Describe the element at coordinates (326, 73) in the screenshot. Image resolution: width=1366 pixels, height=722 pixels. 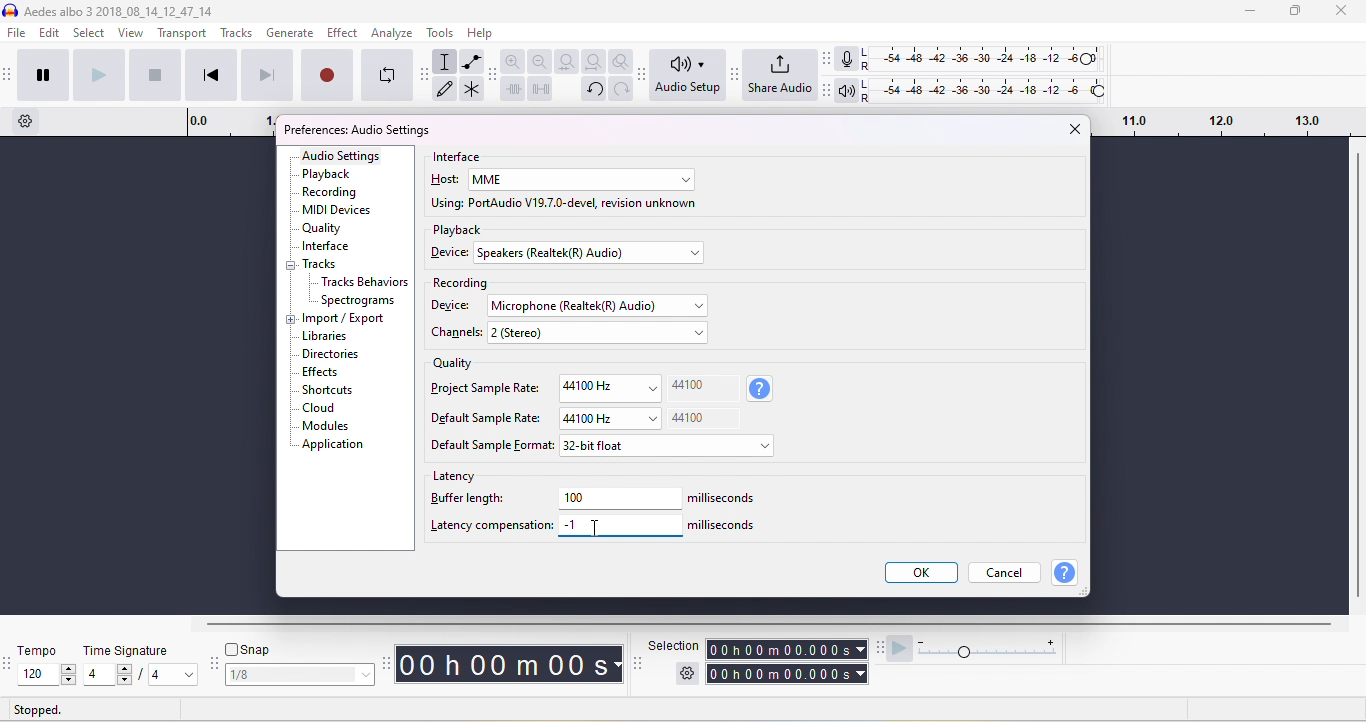
I see `record` at that location.